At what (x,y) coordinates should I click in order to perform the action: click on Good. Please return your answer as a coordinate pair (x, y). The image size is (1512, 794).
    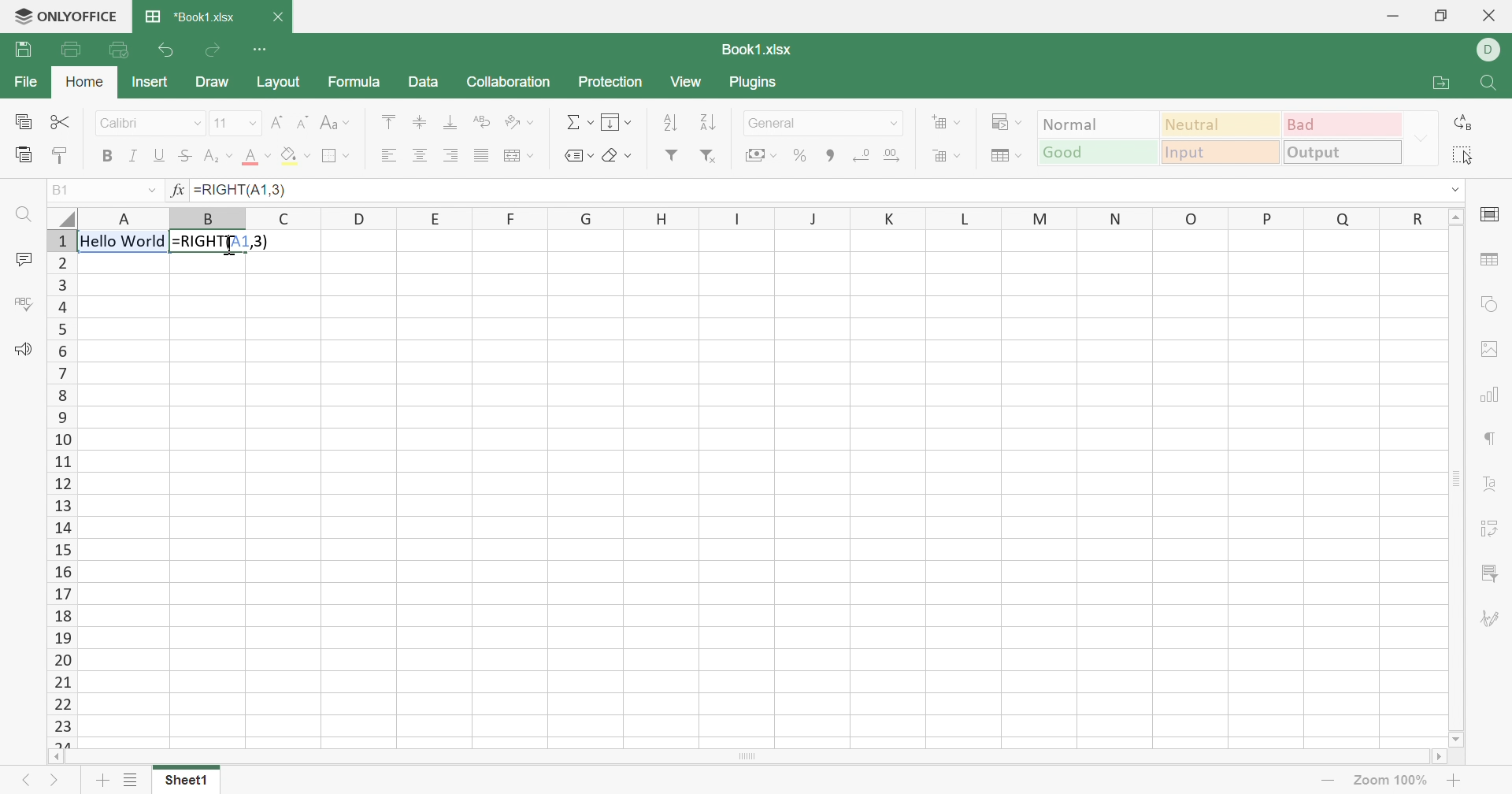
    Looking at the image, I should click on (1096, 151).